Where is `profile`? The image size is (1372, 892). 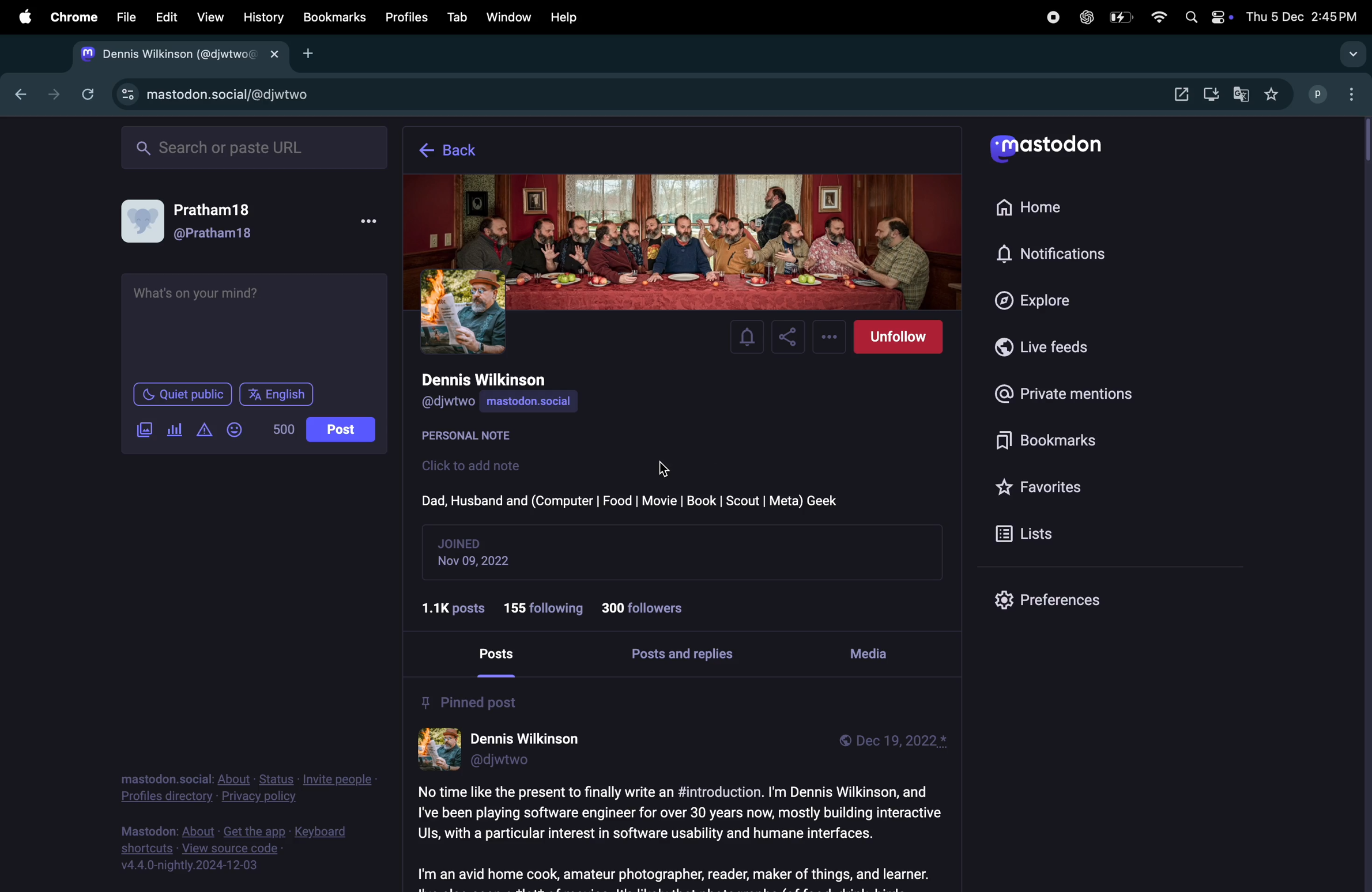 profile is located at coordinates (1317, 95).